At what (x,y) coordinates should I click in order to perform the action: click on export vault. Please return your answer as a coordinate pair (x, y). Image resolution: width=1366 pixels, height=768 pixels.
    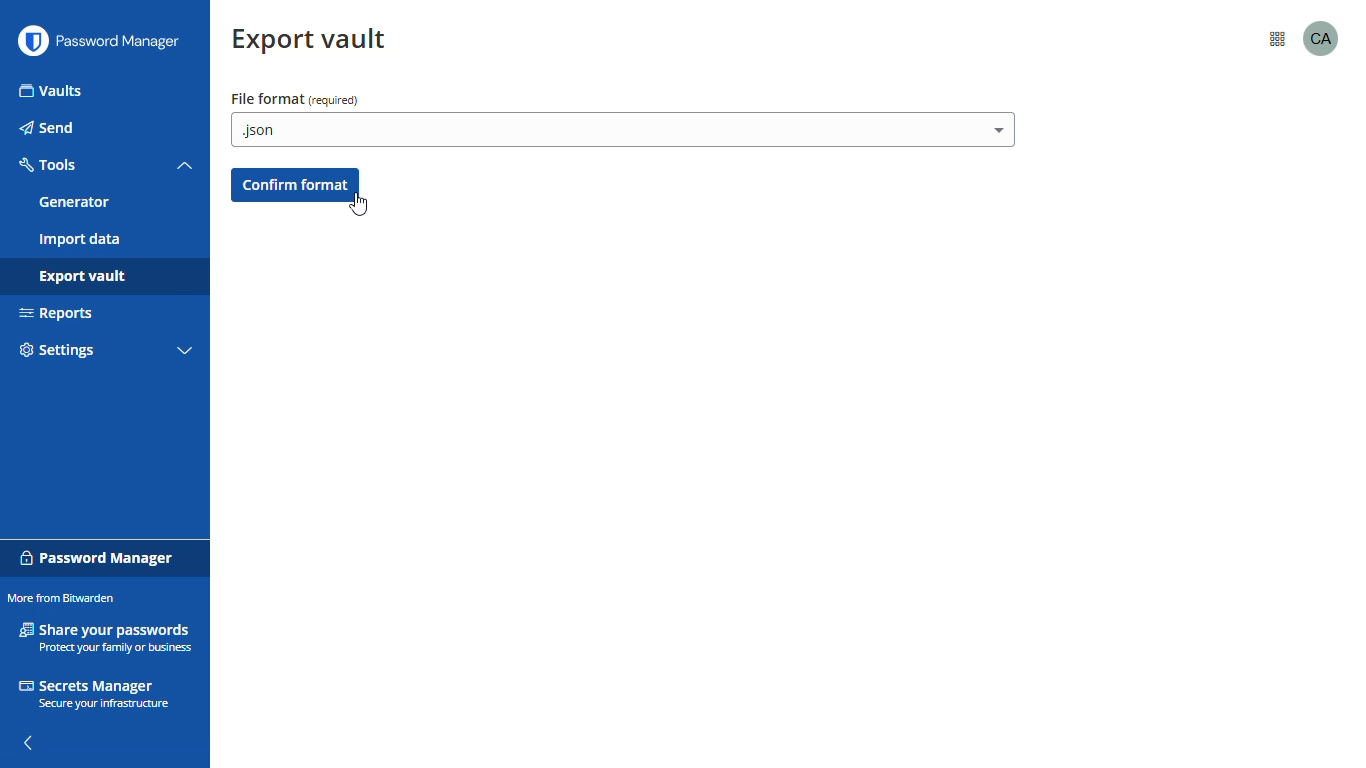
    Looking at the image, I should click on (80, 278).